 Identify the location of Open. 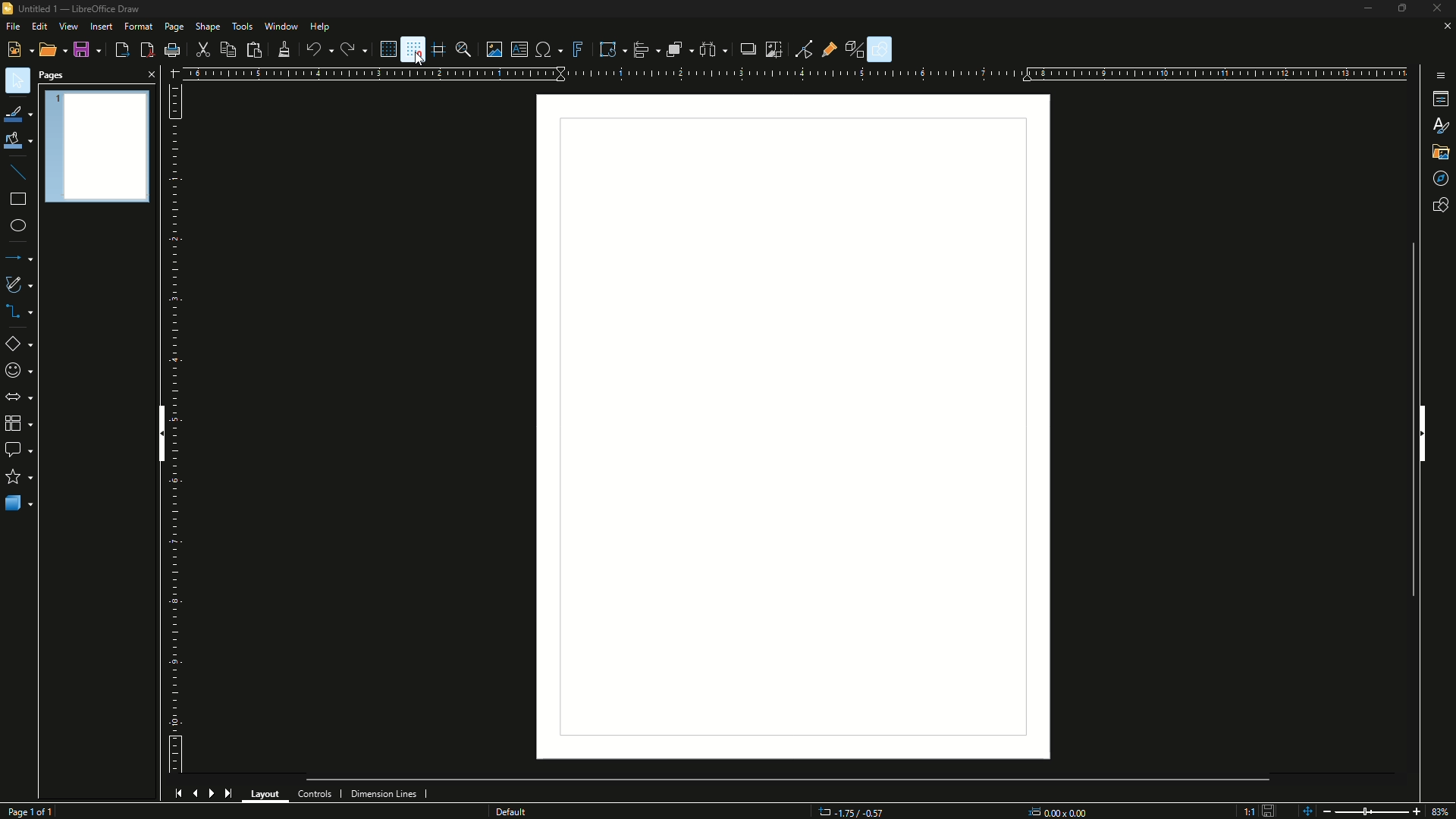
(49, 49).